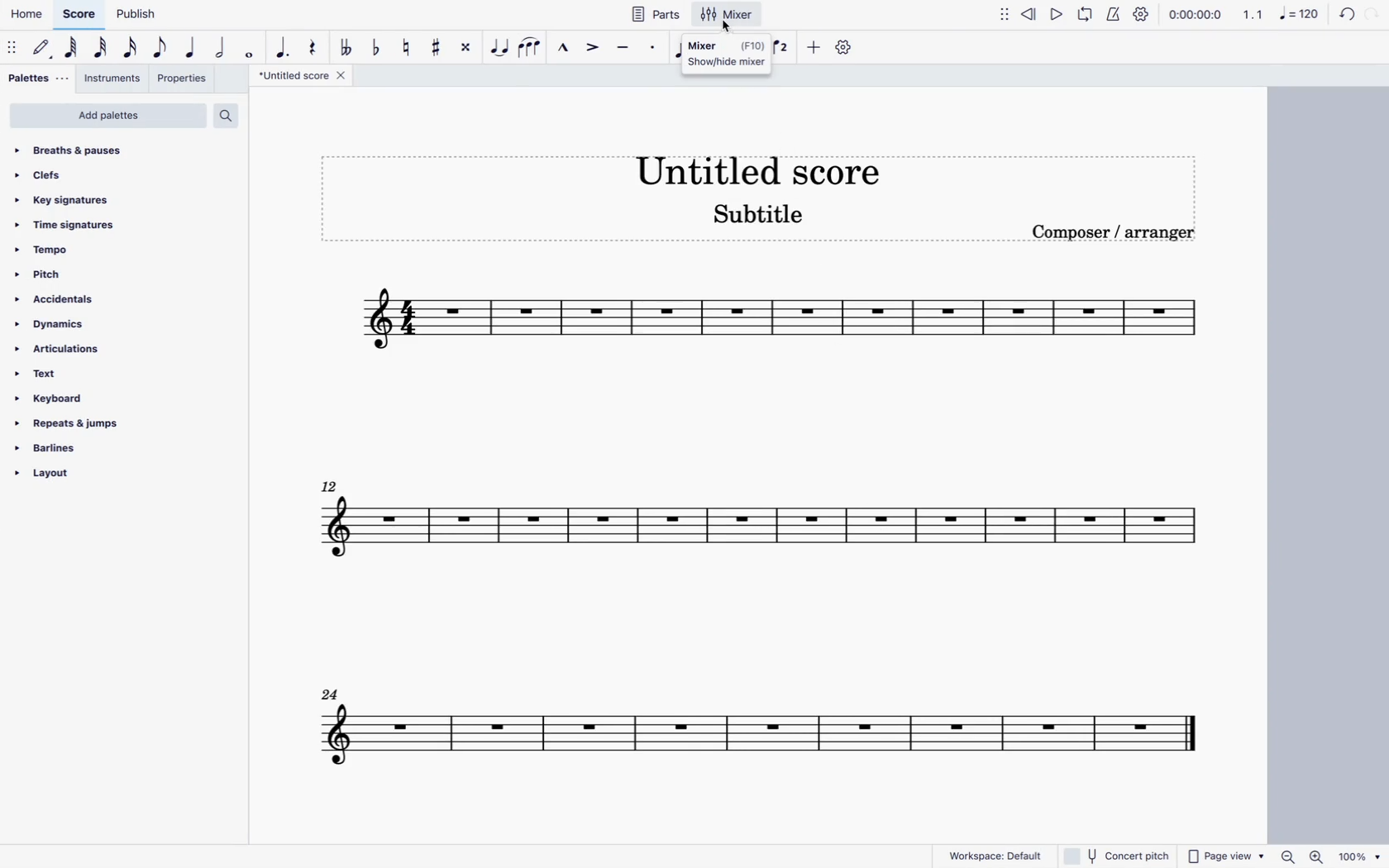 The image size is (1389, 868). What do you see at coordinates (76, 273) in the screenshot?
I see `pitch` at bounding box center [76, 273].